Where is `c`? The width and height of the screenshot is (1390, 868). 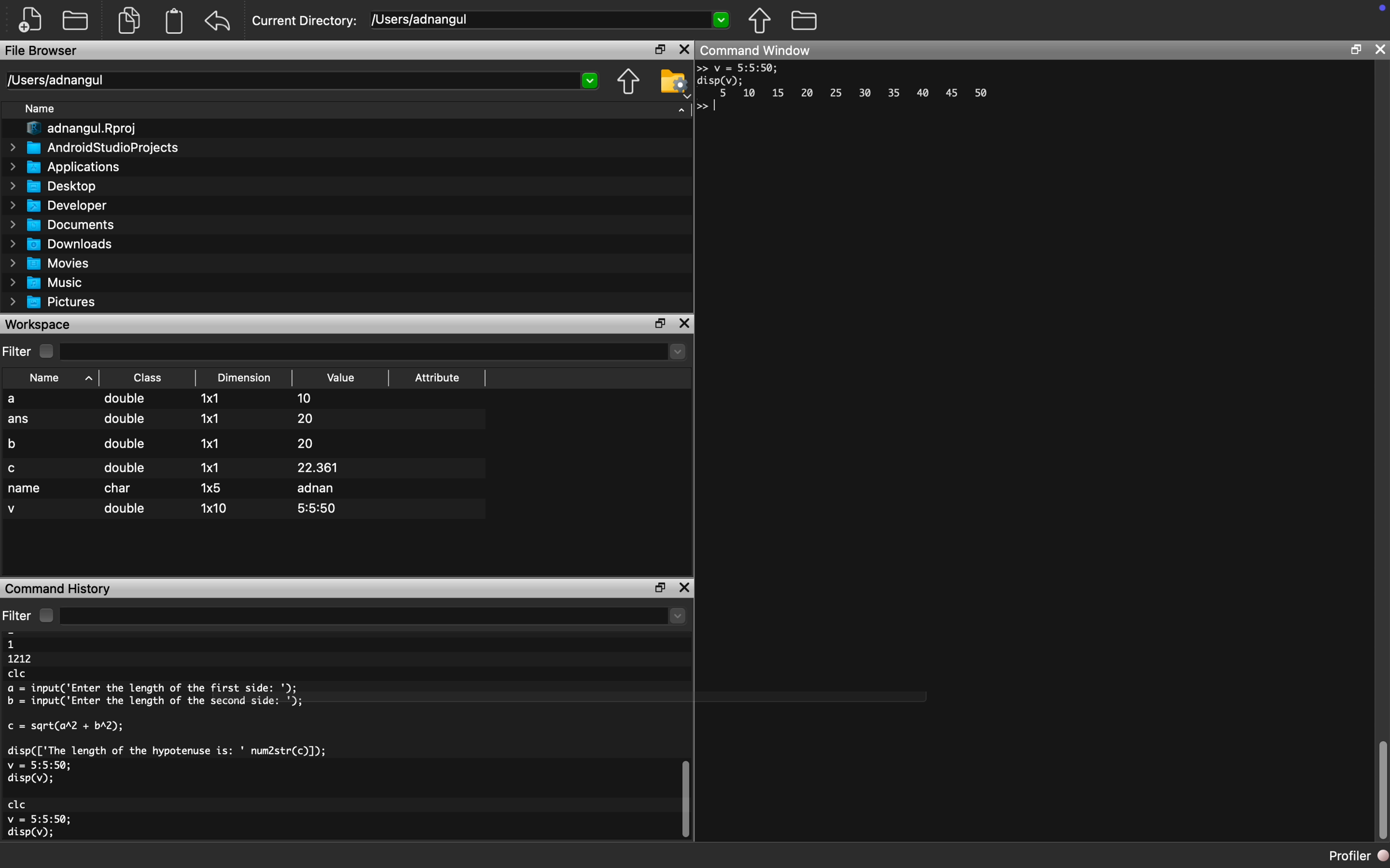 c is located at coordinates (14, 470).